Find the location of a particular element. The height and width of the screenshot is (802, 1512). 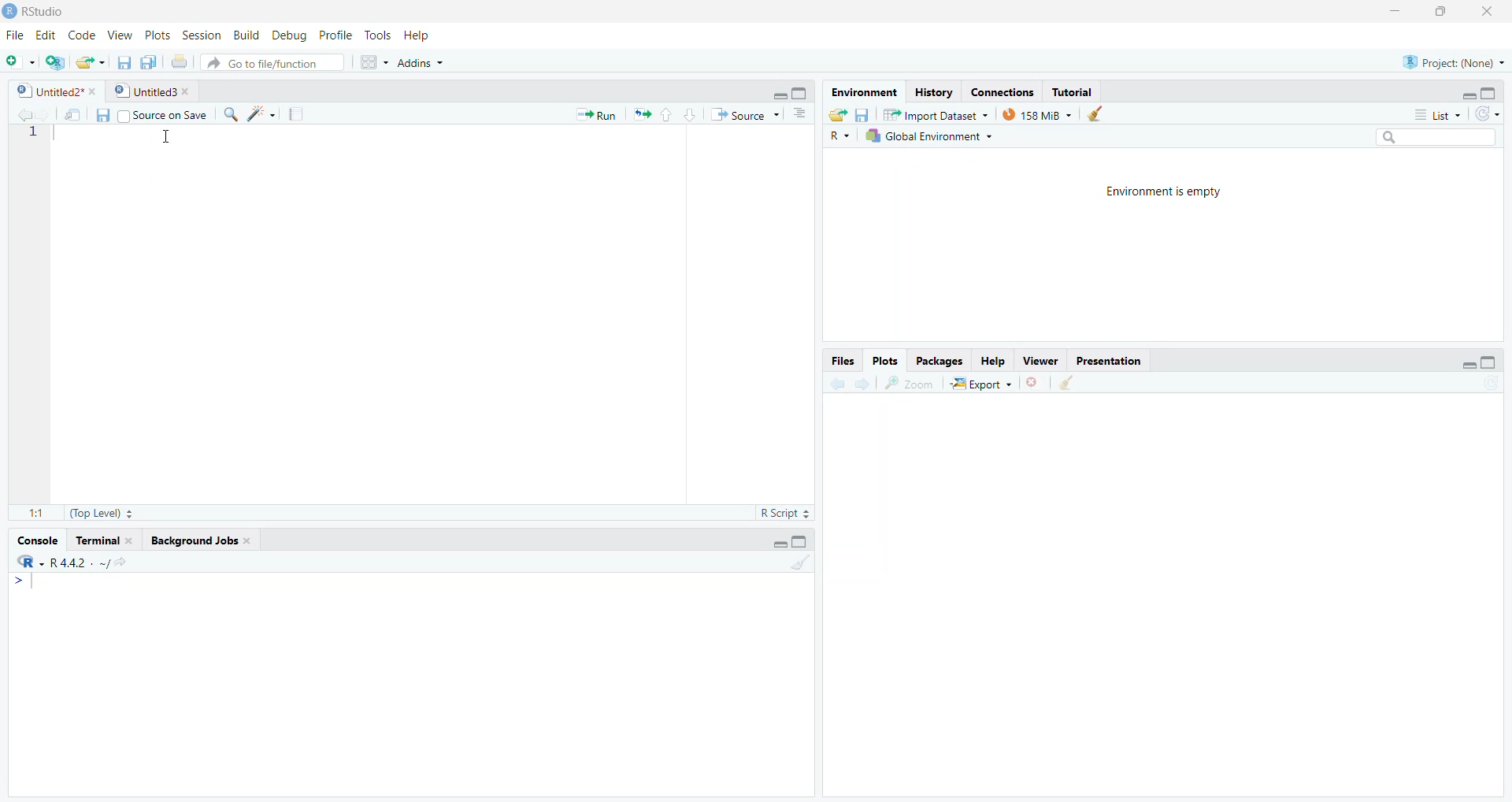

Debug is located at coordinates (289, 33).